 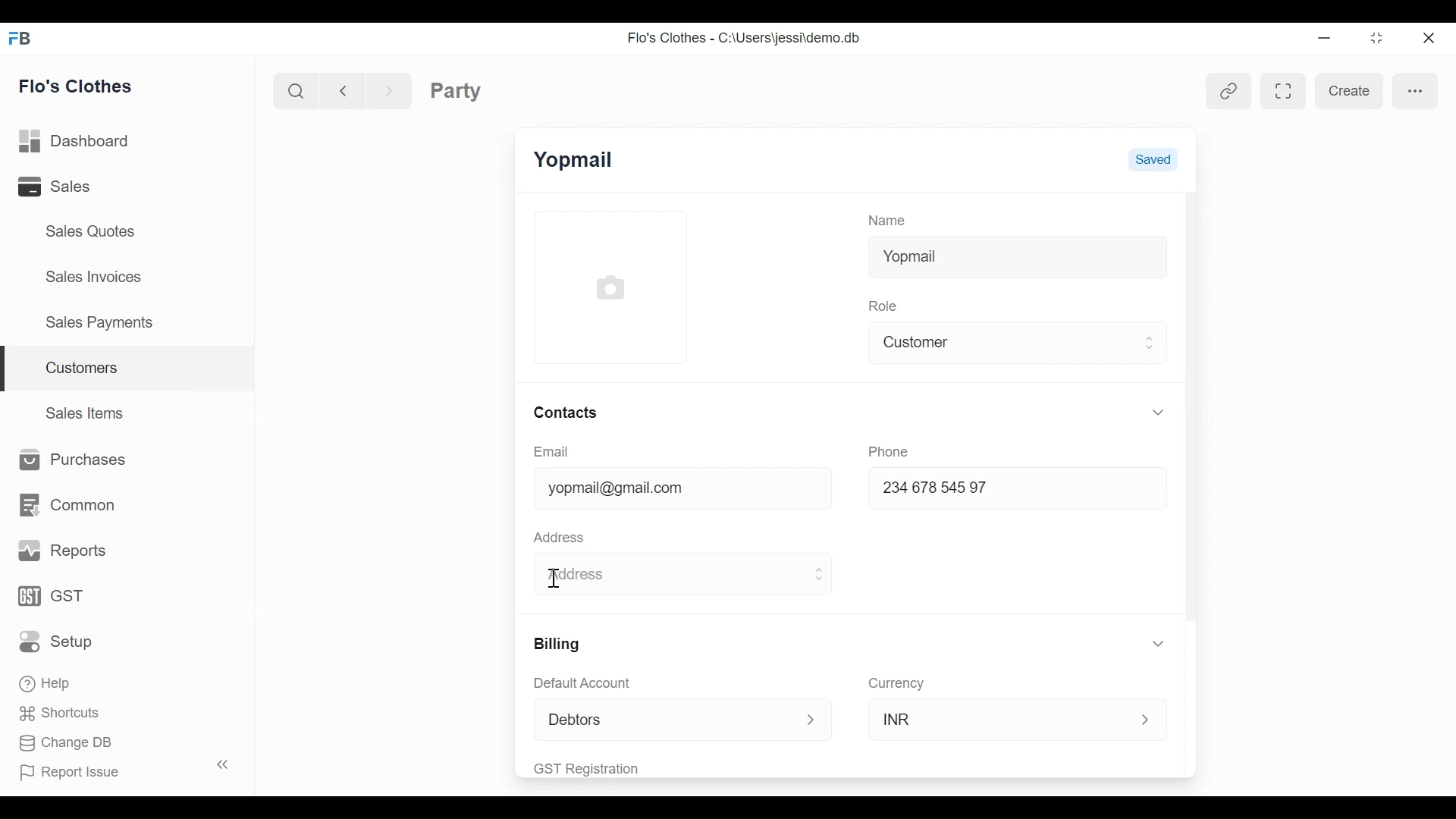 I want to click on Navigate Forward, so click(x=389, y=89).